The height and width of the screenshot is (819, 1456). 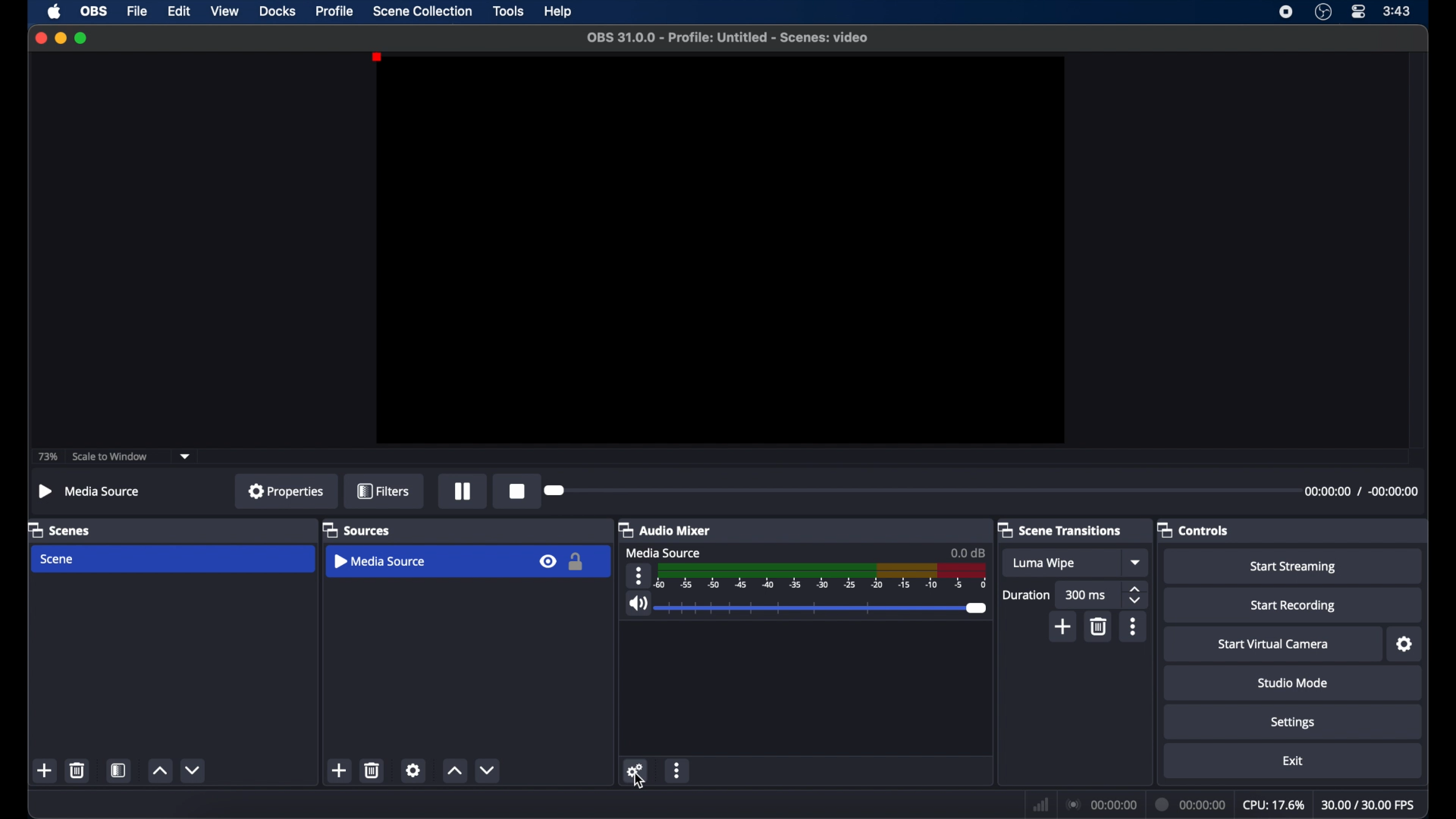 What do you see at coordinates (138, 11) in the screenshot?
I see `file` at bounding box center [138, 11].